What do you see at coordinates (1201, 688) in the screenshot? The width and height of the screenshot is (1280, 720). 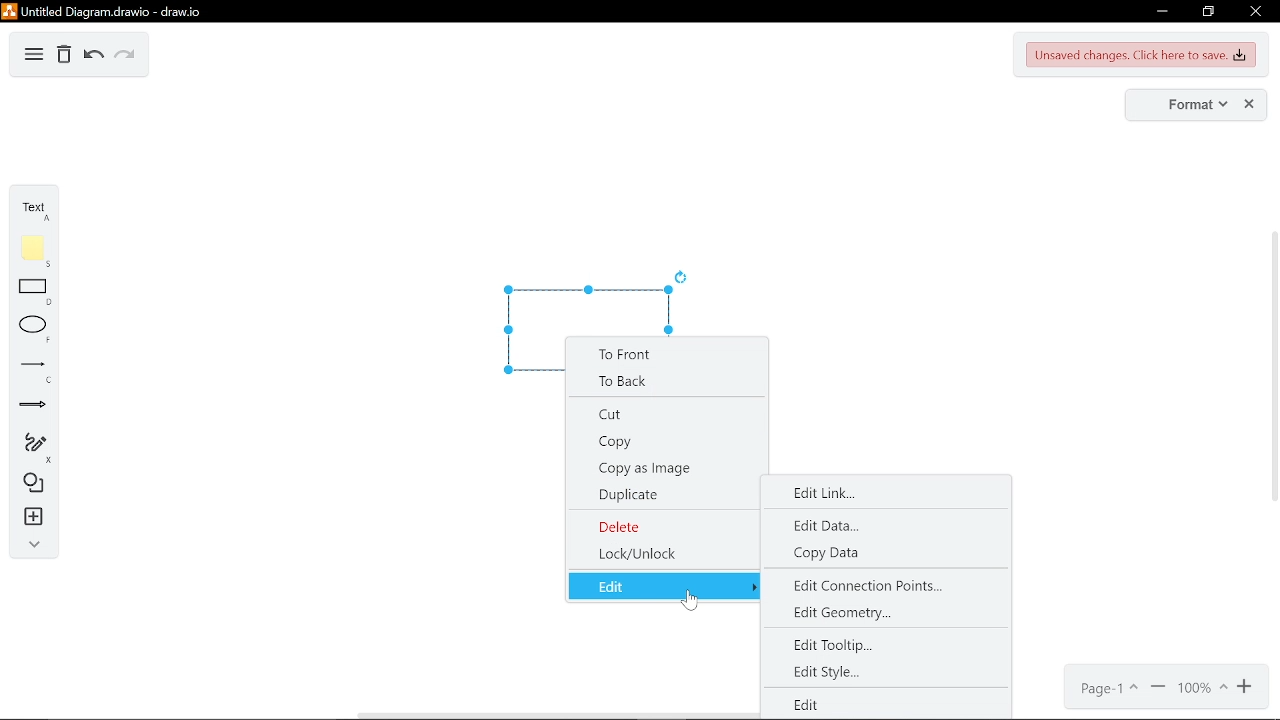 I see `current zoom` at bounding box center [1201, 688].